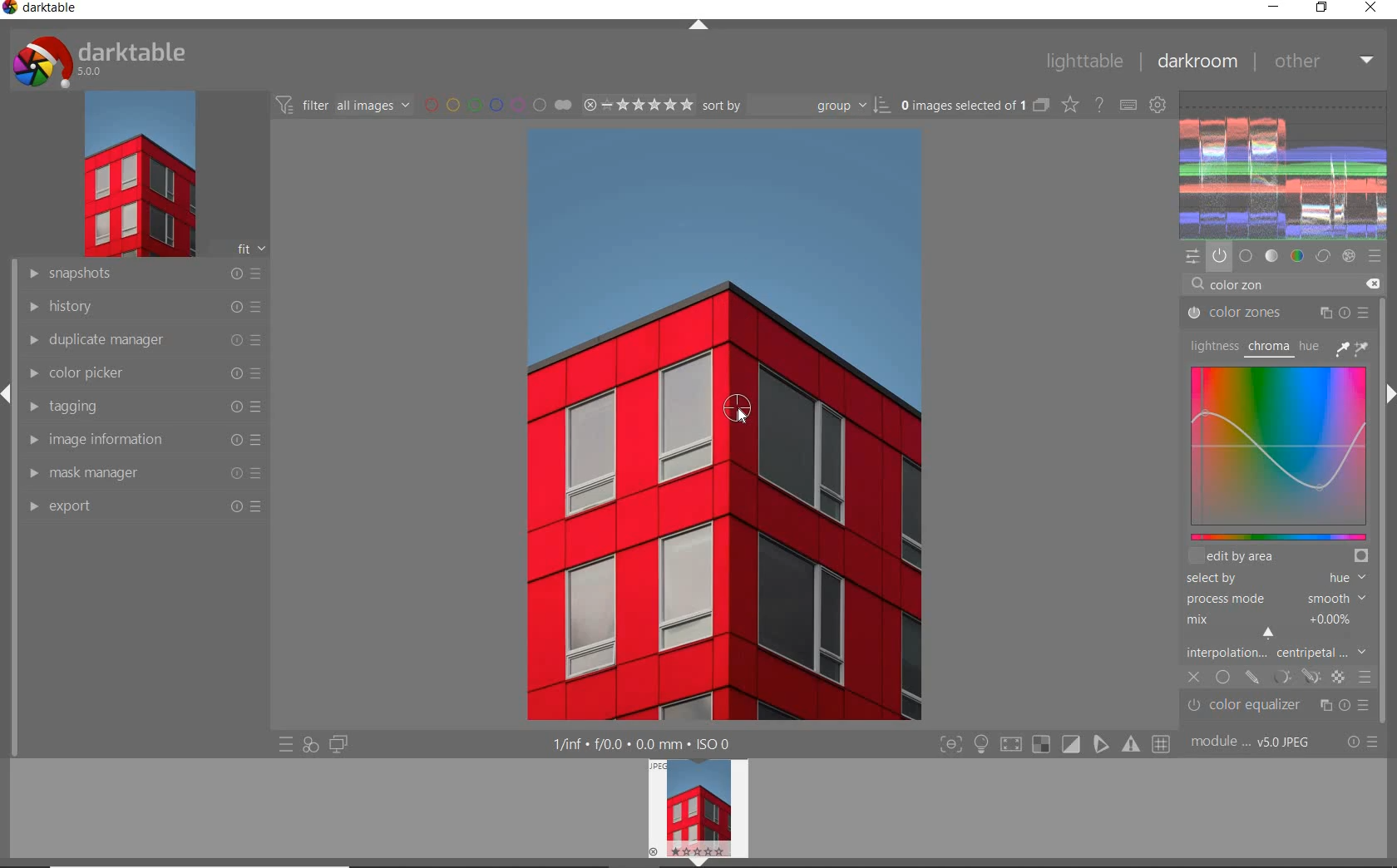 The image size is (1397, 868). Describe the element at coordinates (1193, 257) in the screenshot. I see `quick access panel` at that location.